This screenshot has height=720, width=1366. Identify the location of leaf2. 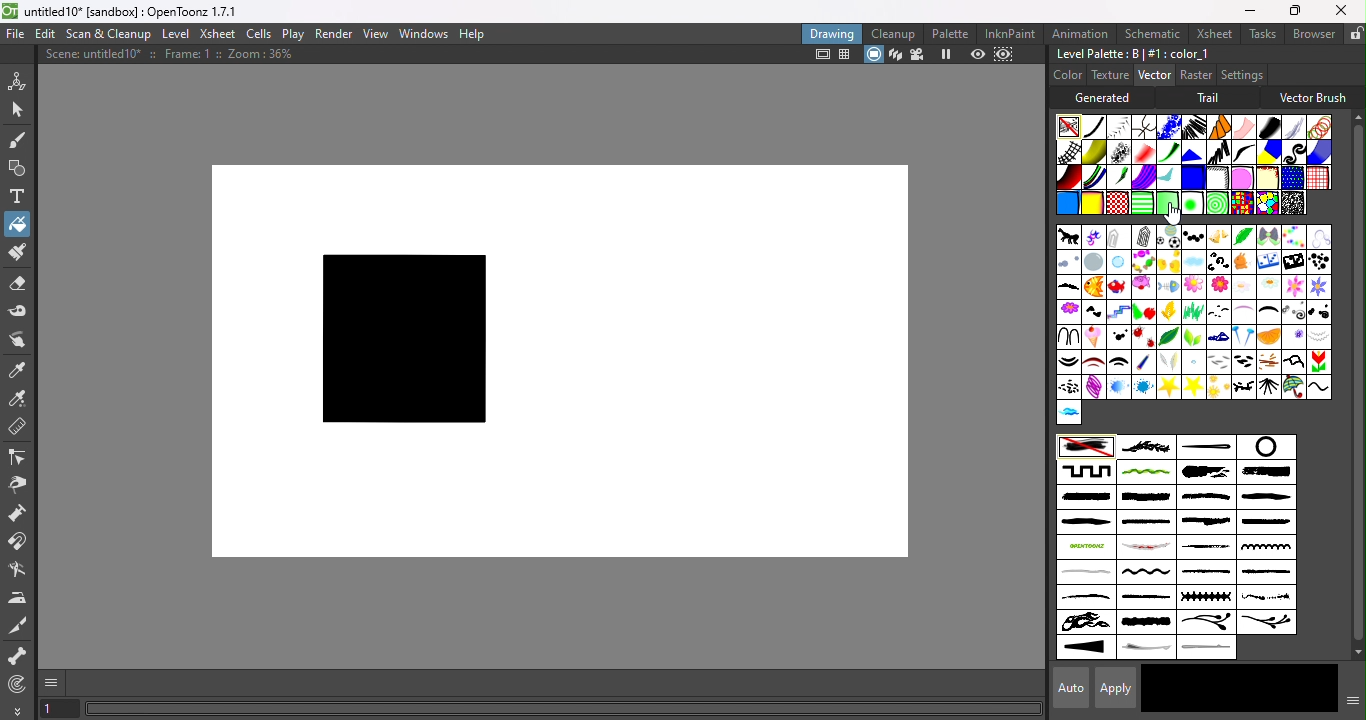
(1194, 337).